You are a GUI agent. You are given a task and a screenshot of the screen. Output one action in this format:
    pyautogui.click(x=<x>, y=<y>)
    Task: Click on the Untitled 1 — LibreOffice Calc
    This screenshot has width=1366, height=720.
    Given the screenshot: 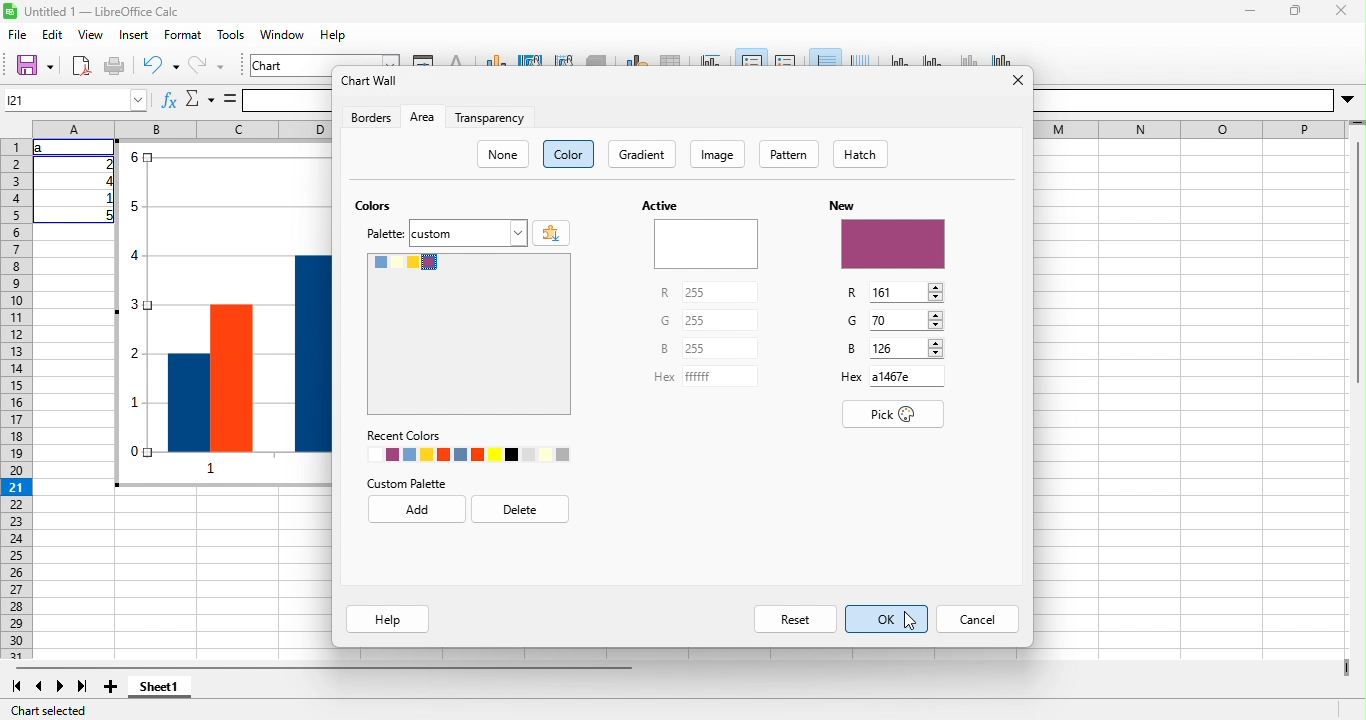 What is the action you would take?
    pyautogui.click(x=102, y=12)
    